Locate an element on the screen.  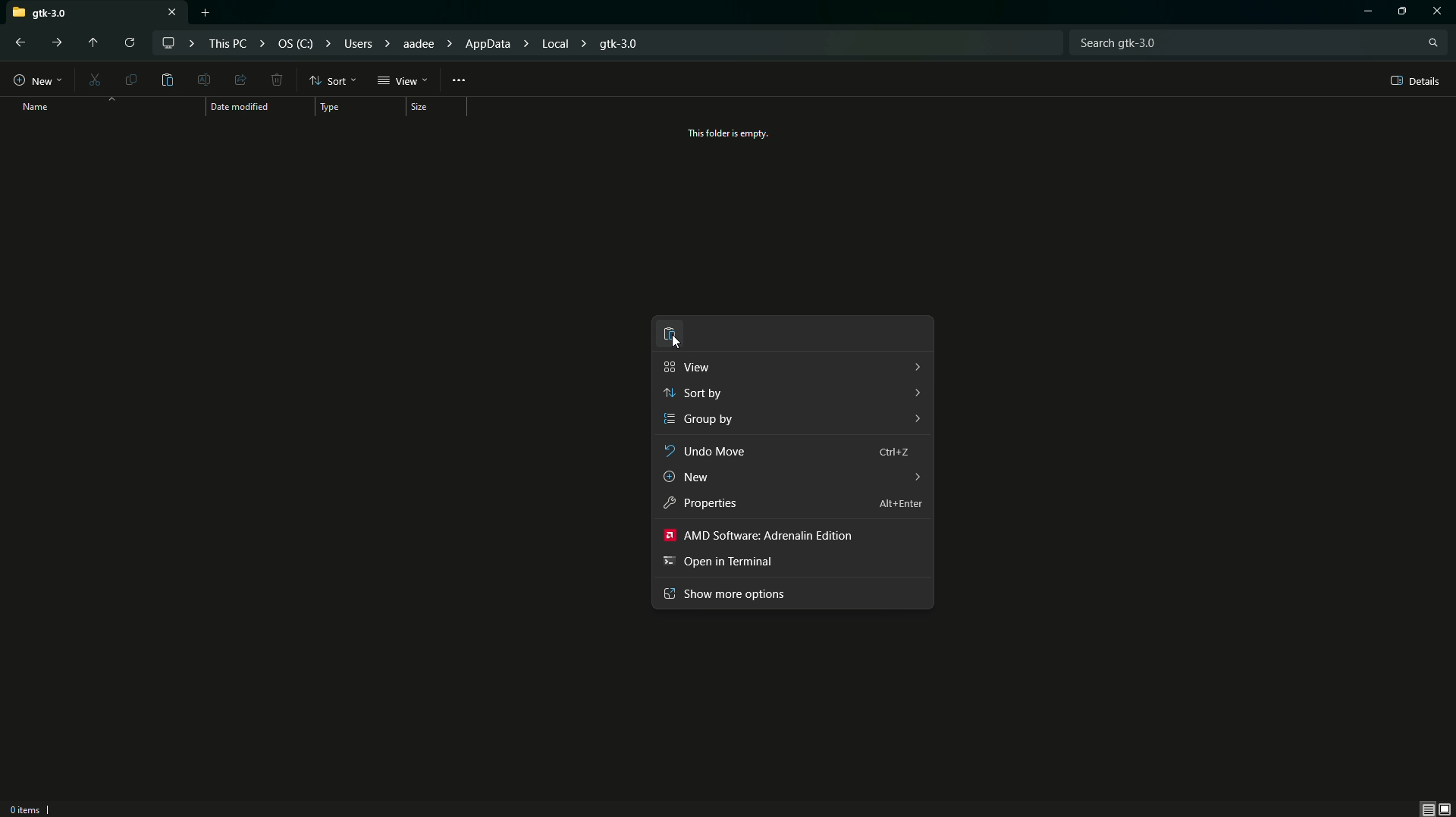
cursor is located at coordinates (684, 340).